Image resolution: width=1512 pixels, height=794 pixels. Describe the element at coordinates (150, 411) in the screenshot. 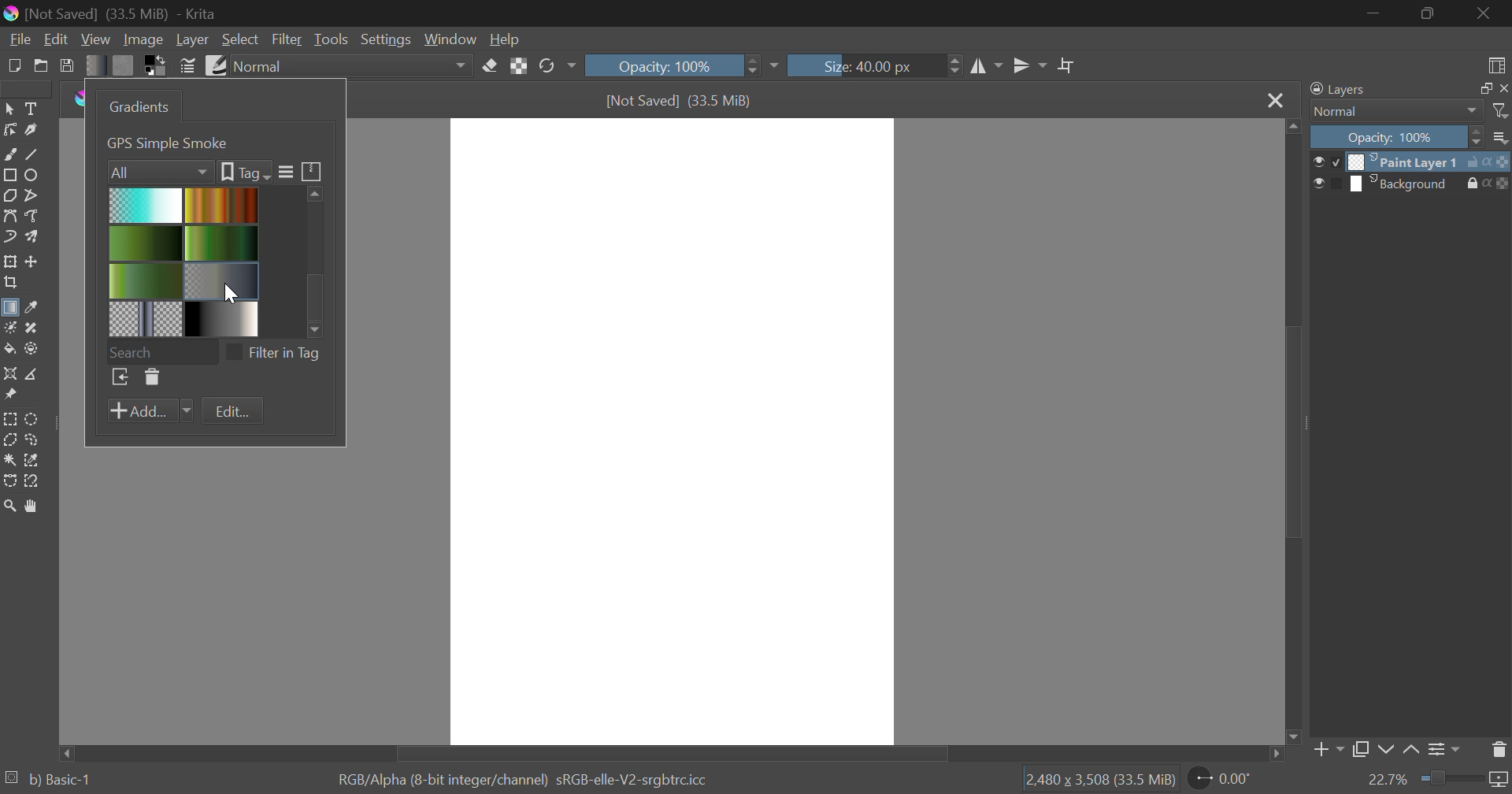

I see `Add...` at that location.